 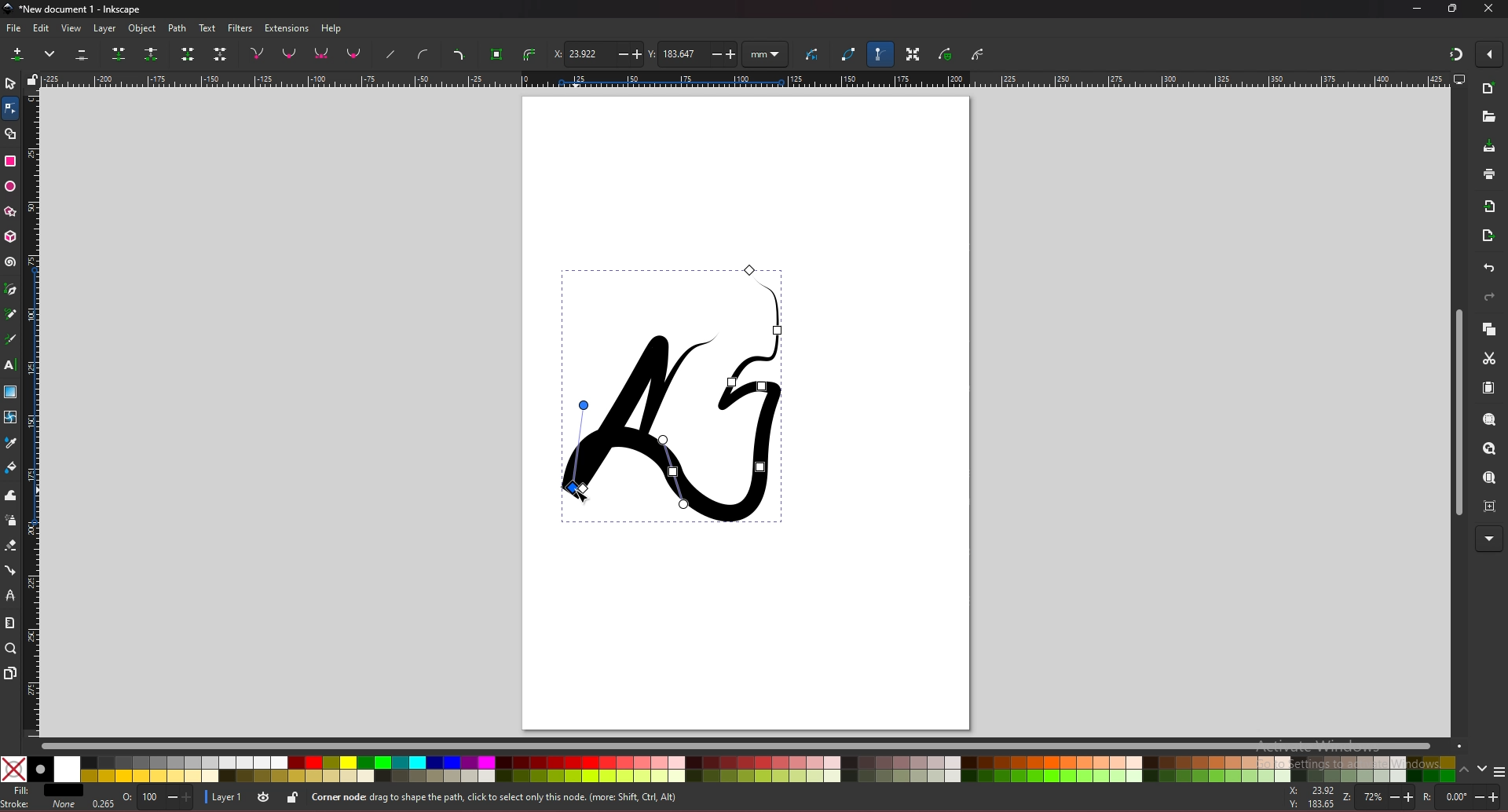 What do you see at coordinates (240, 28) in the screenshot?
I see `filters` at bounding box center [240, 28].